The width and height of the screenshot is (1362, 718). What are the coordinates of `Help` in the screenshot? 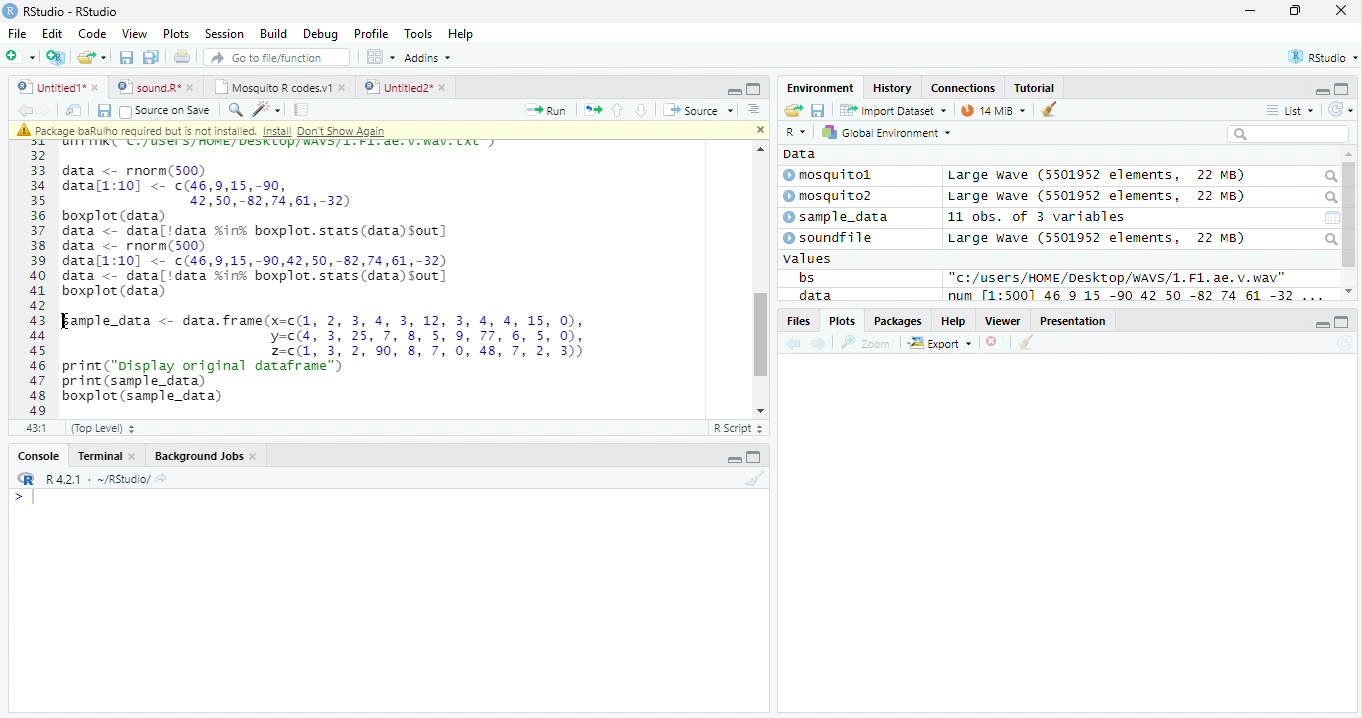 It's located at (463, 34).